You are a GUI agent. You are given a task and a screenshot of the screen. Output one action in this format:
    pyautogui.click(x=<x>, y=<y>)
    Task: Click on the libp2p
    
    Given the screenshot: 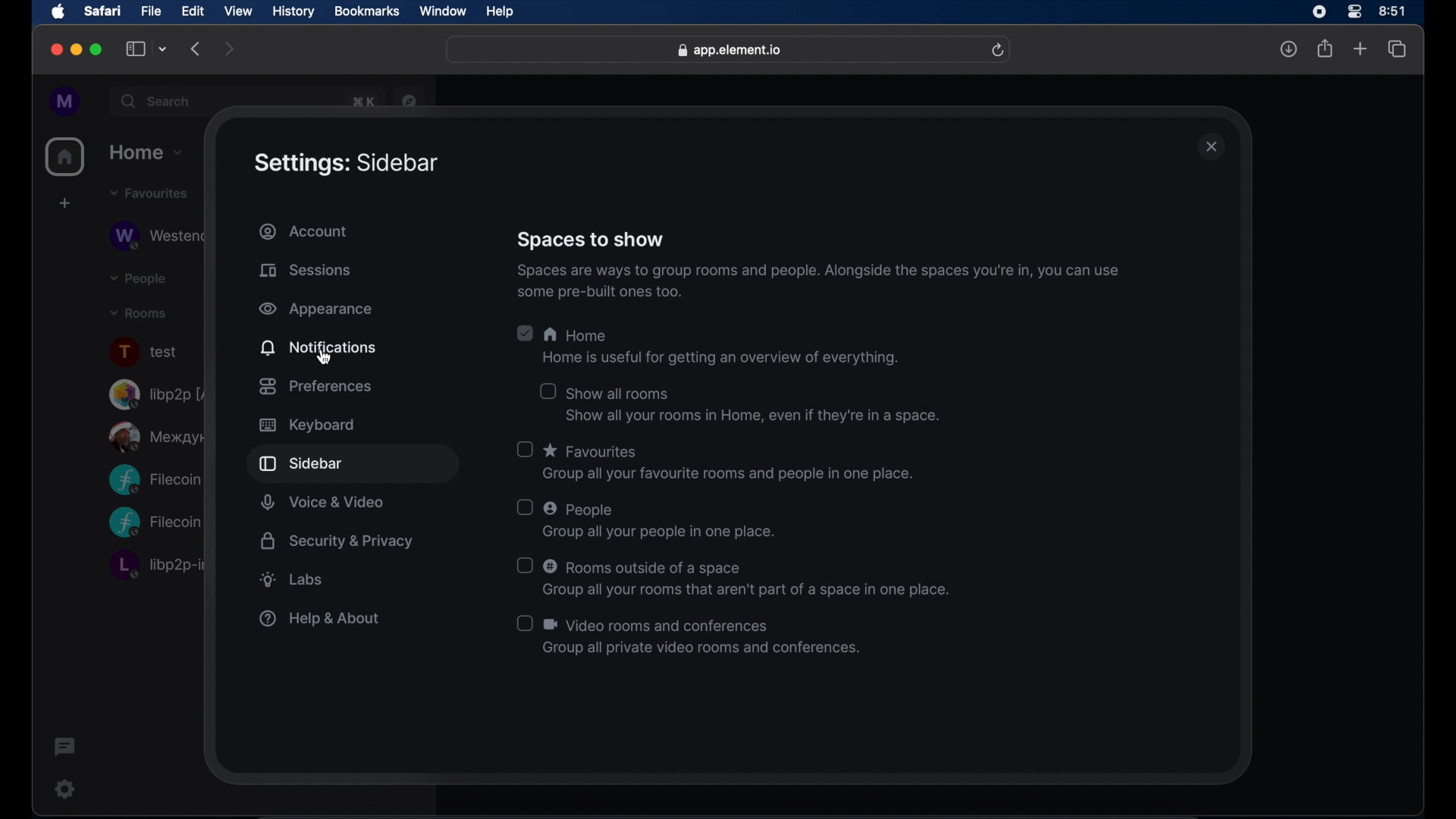 What is the action you would take?
    pyautogui.click(x=155, y=563)
    